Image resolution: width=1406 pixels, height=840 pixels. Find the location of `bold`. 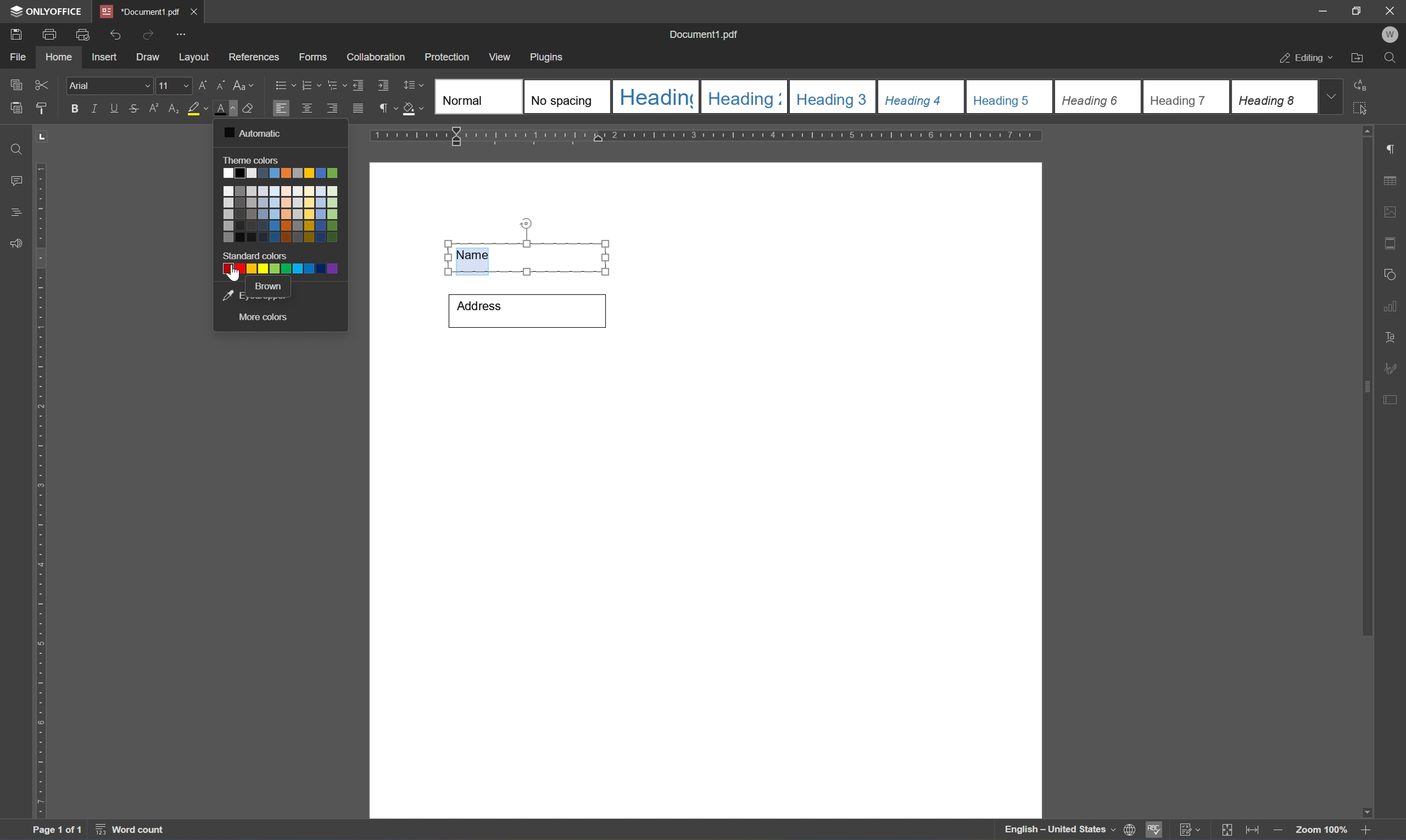

bold is located at coordinates (73, 109).